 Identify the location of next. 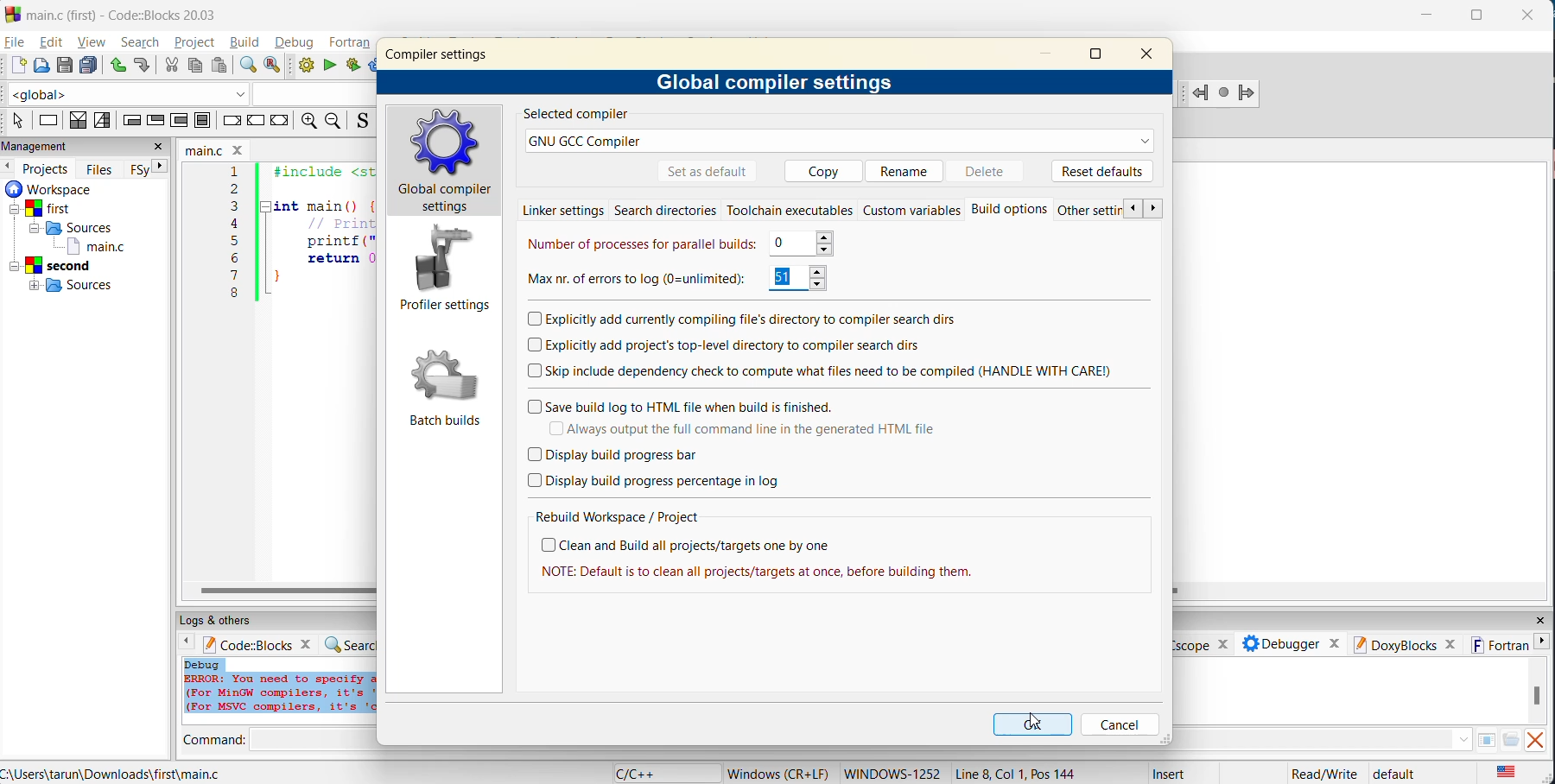
(155, 168).